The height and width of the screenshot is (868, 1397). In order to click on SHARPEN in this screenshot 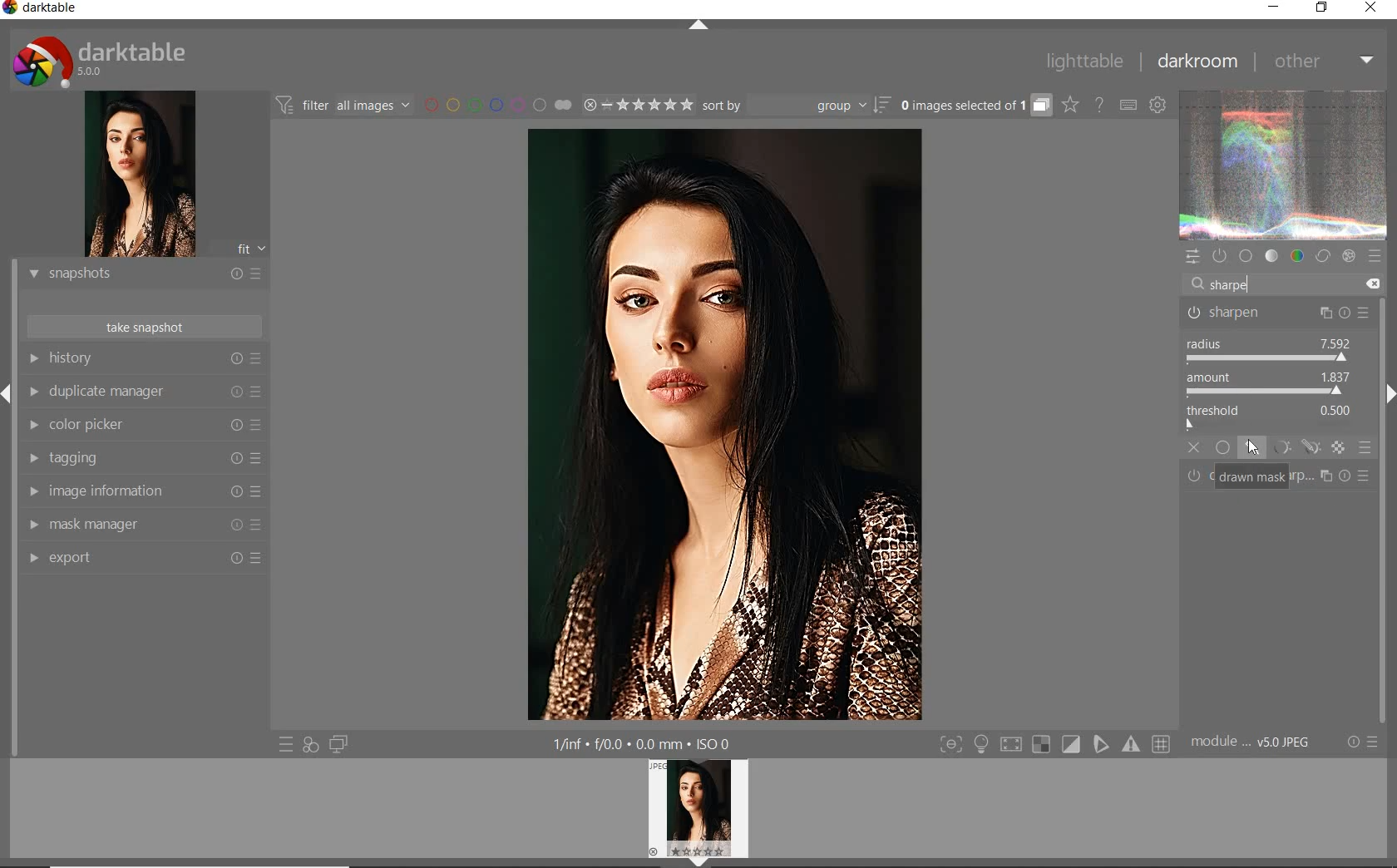, I will do `click(1279, 312)`.